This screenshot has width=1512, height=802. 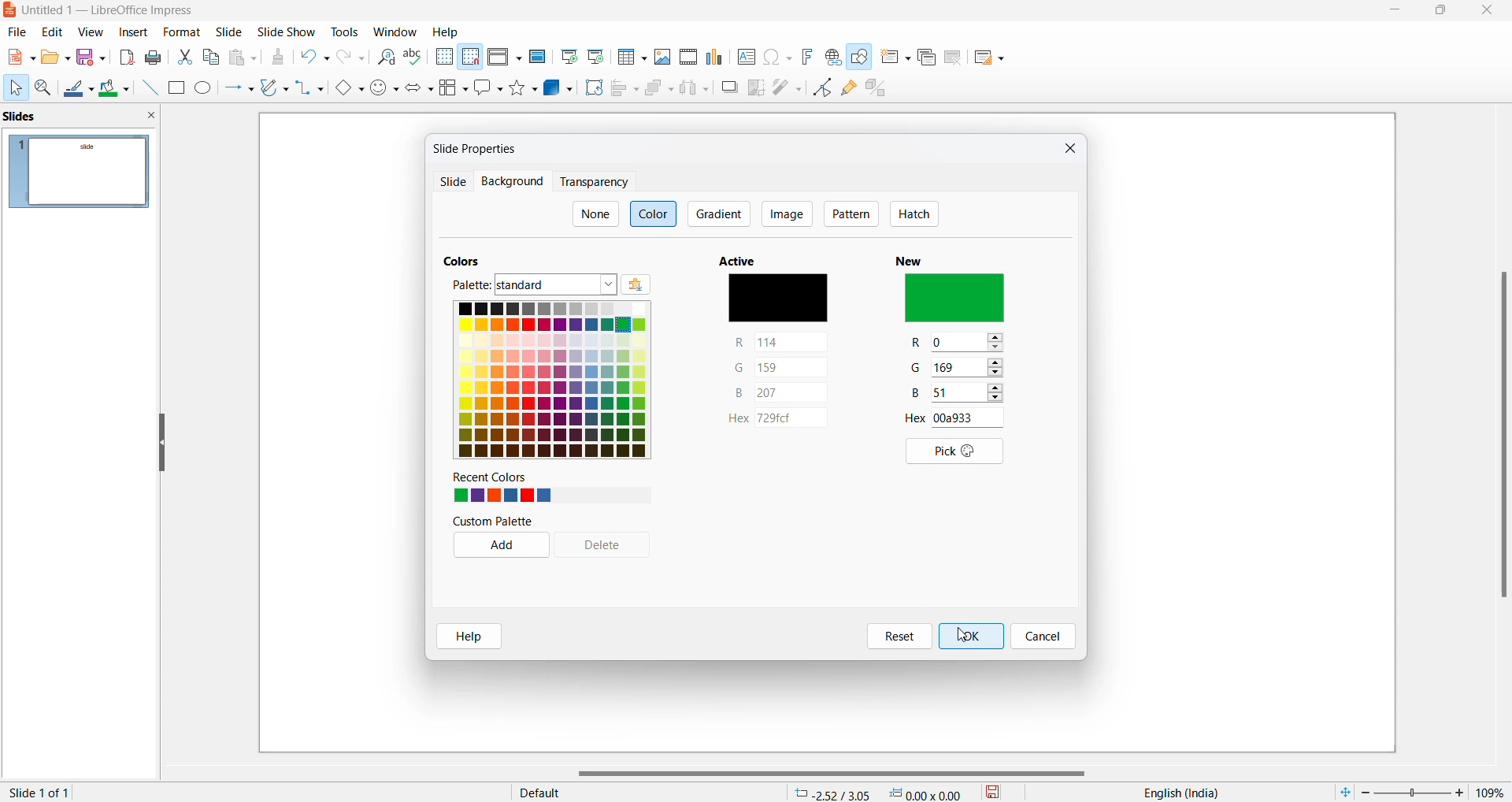 What do you see at coordinates (20, 61) in the screenshot?
I see `new file` at bounding box center [20, 61].